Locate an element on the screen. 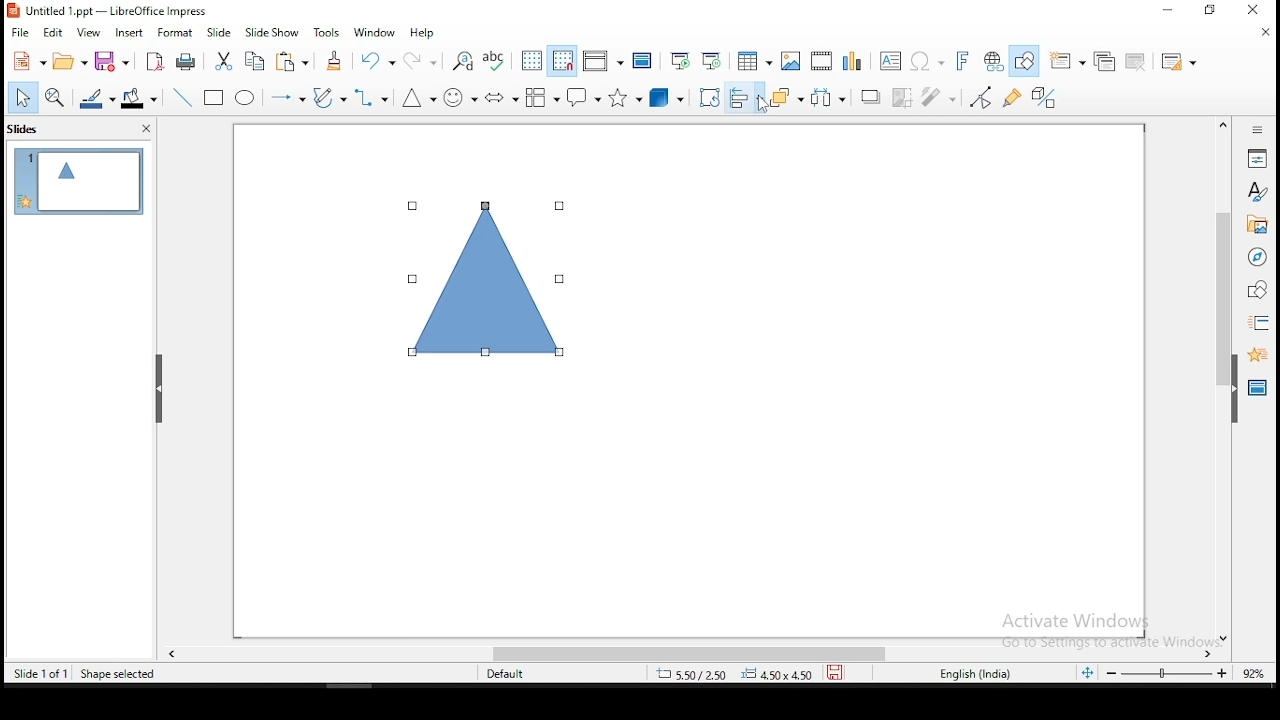 The width and height of the screenshot is (1280, 720). show gluepoint functions is located at coordinates (1014, 99).